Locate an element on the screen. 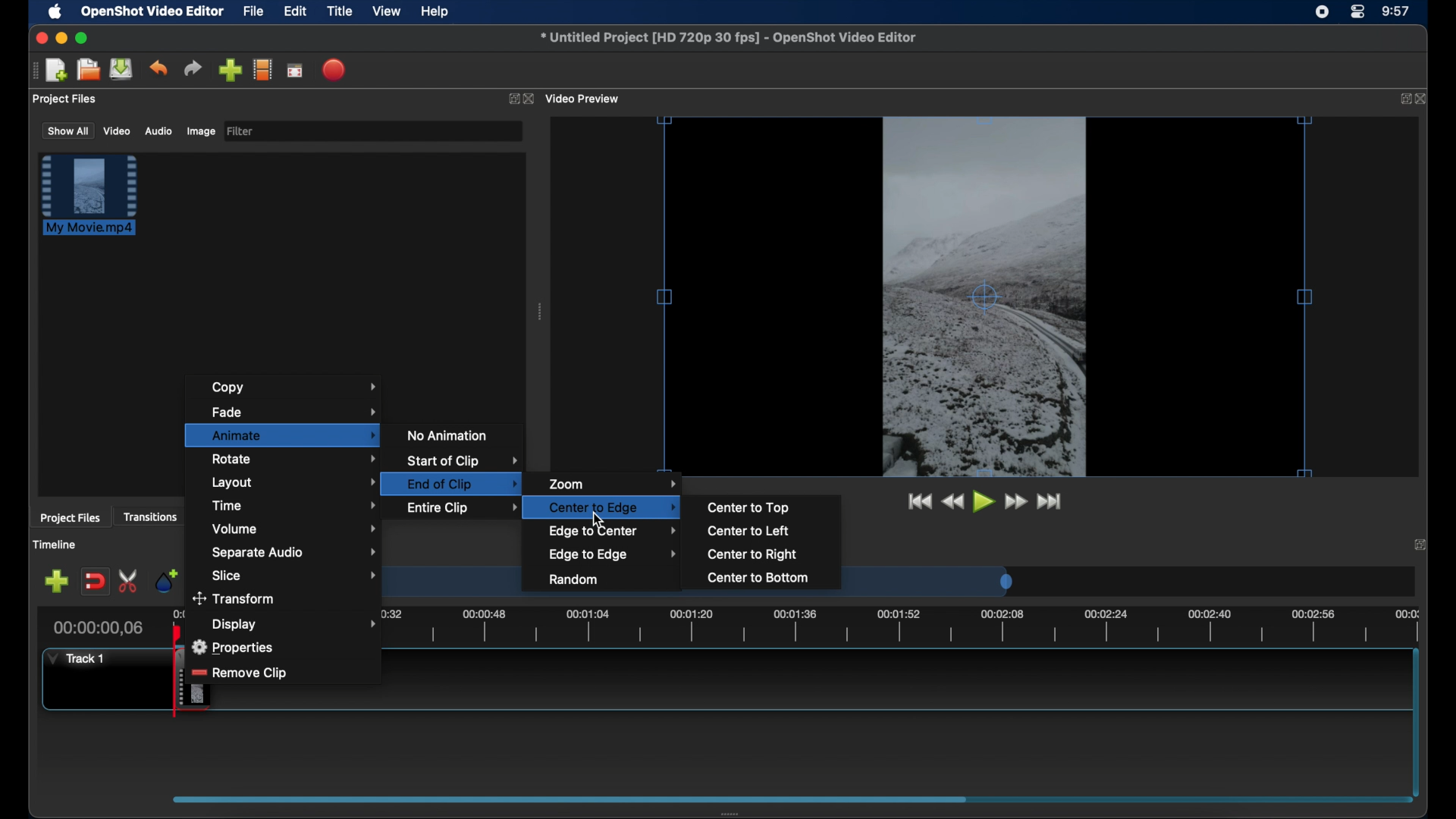  close is located at coordinates (1423, 99).